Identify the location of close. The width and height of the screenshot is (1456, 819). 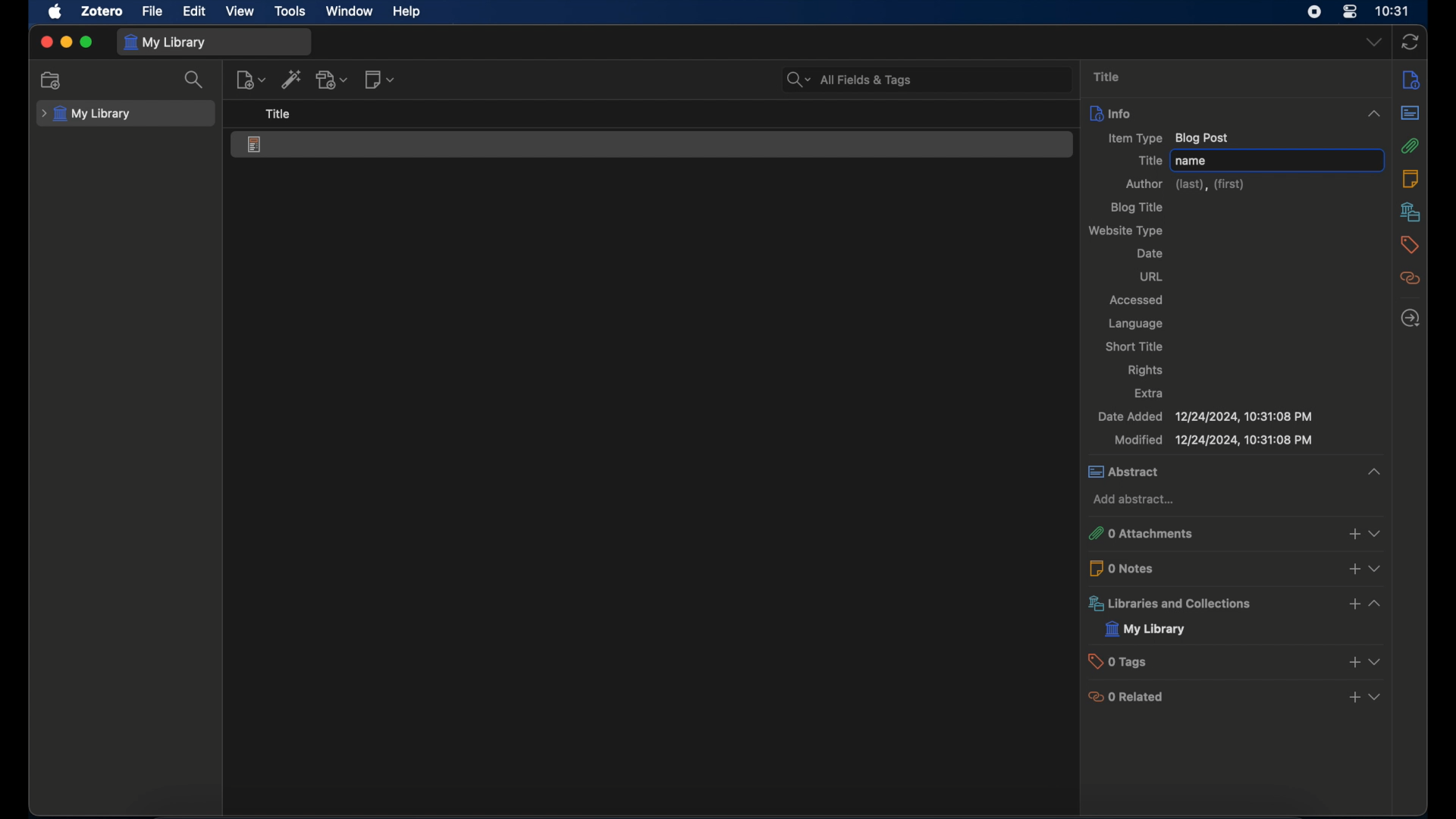
(45, 42).